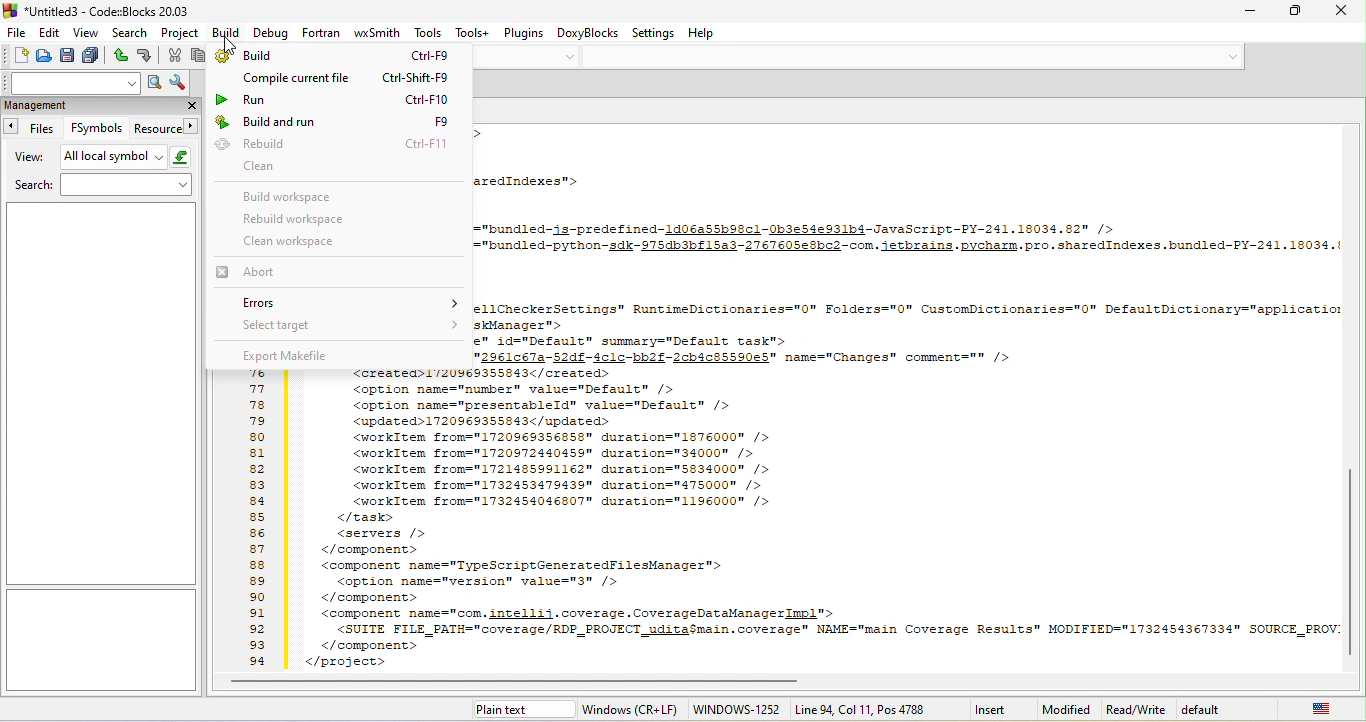 The height and width of the screenshot is (722, 1366). What do you see at coordinates (701, 34) in the screenshot?
I see `help` at bounding box center [701, 34].